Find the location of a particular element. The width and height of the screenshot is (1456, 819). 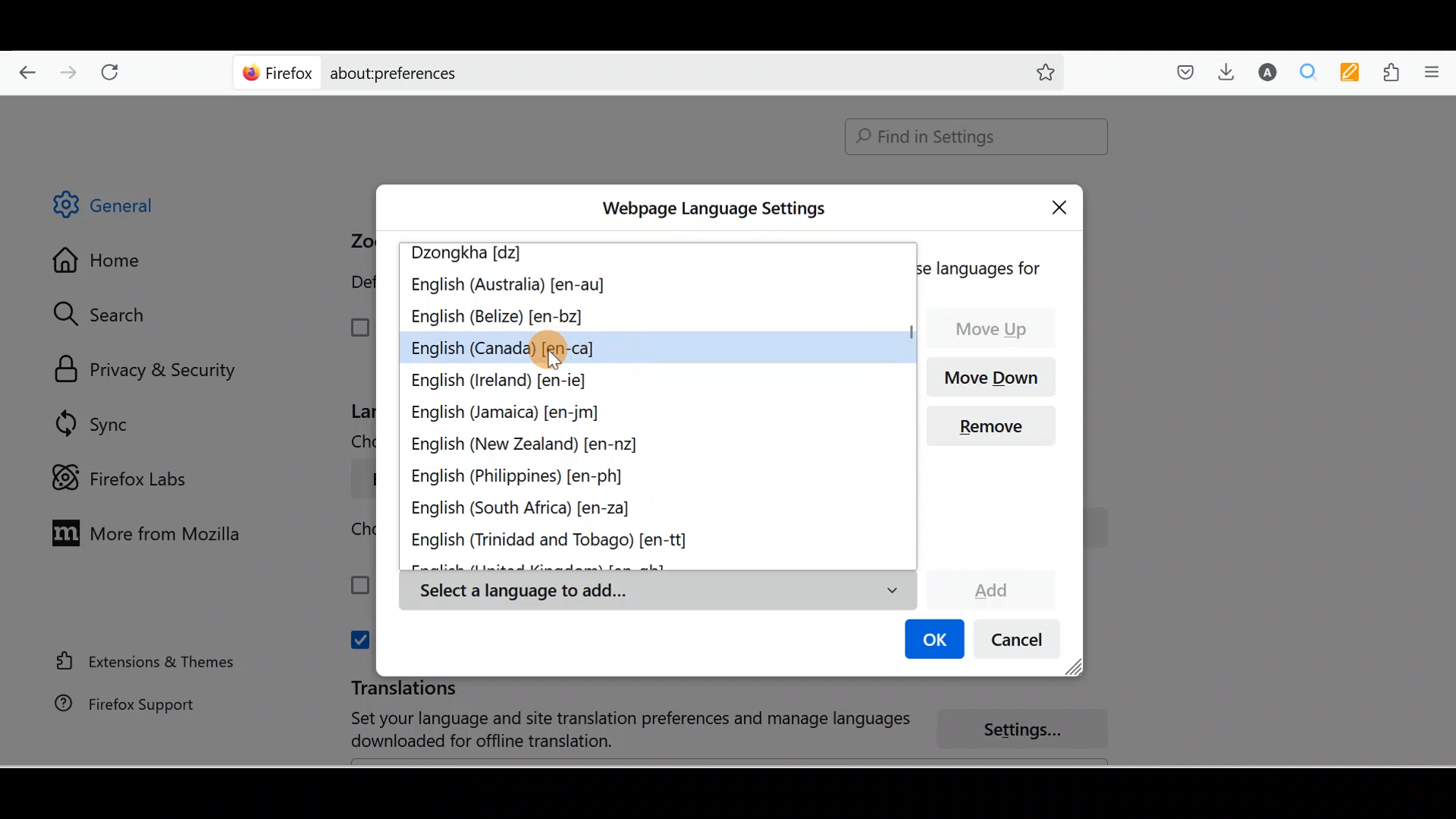

Find in Settings is located at coordinates (977, 136).